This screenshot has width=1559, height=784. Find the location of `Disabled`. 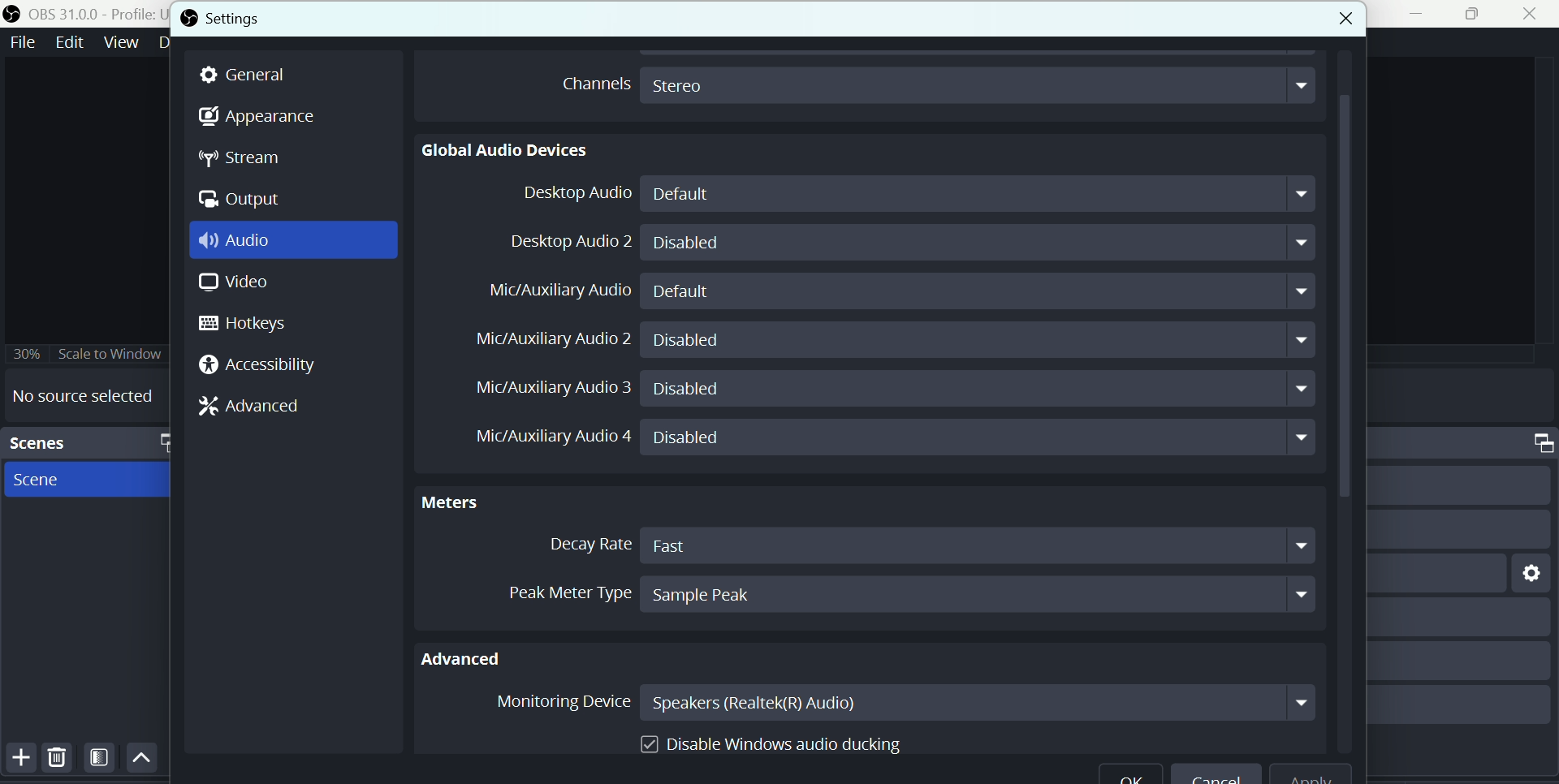

Disabled is located at coordinates (978, 438).